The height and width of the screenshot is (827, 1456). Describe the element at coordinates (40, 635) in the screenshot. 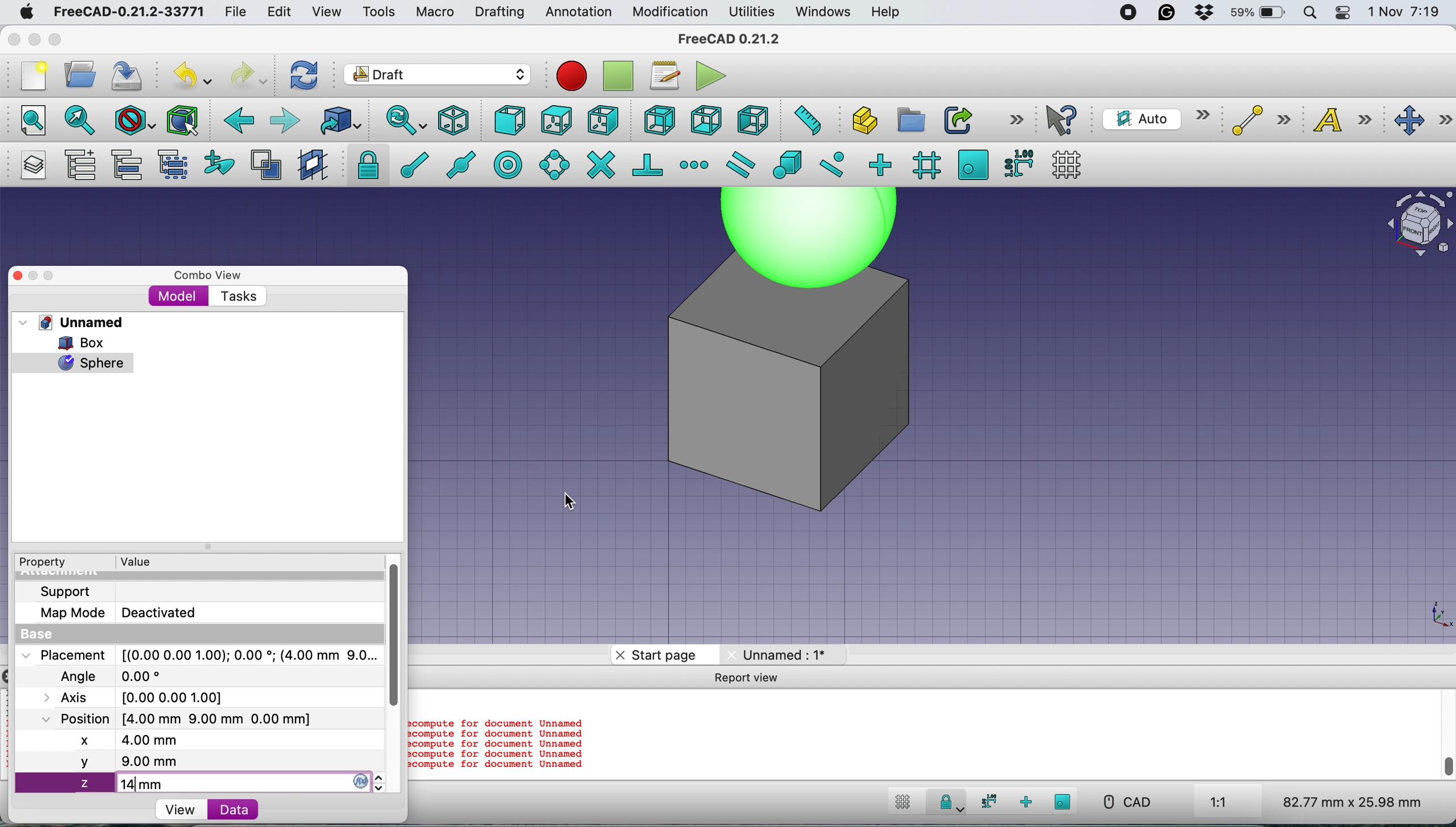

I see `base` at that location.